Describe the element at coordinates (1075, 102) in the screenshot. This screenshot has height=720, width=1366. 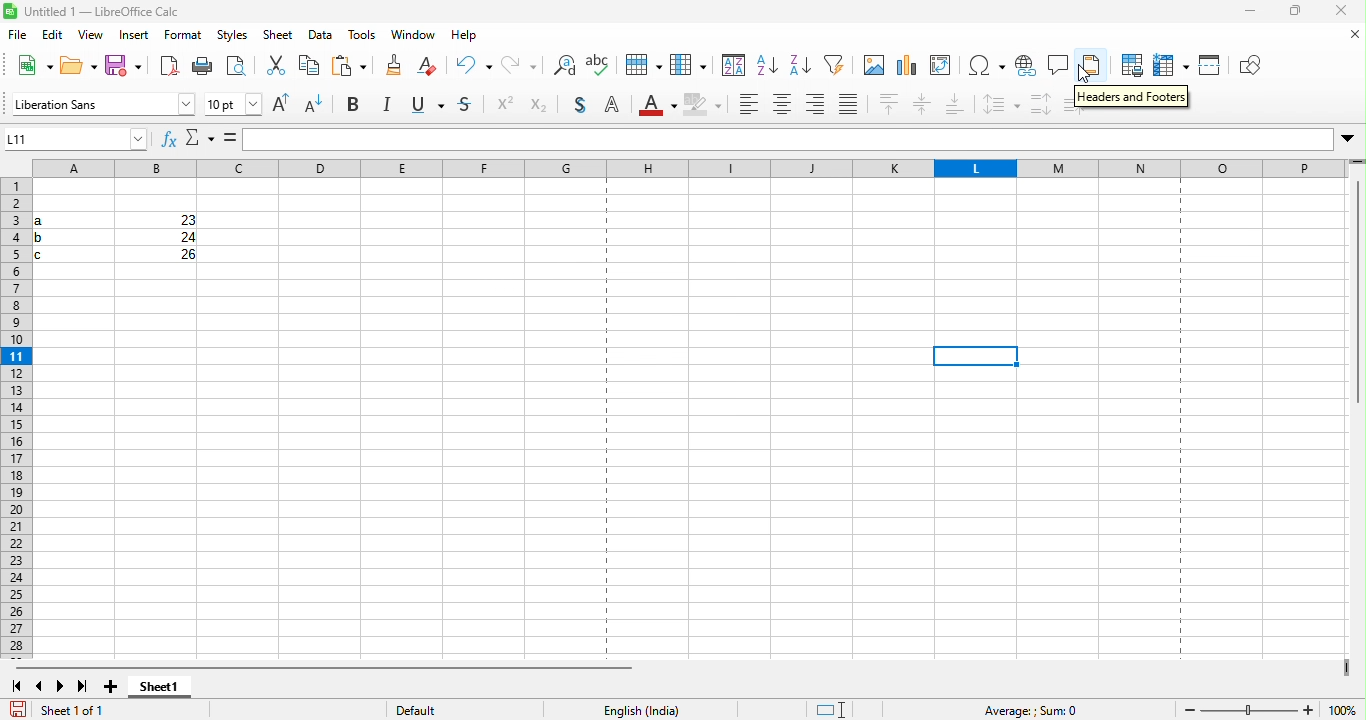
I see `decrease paragraph spacing` at that location.